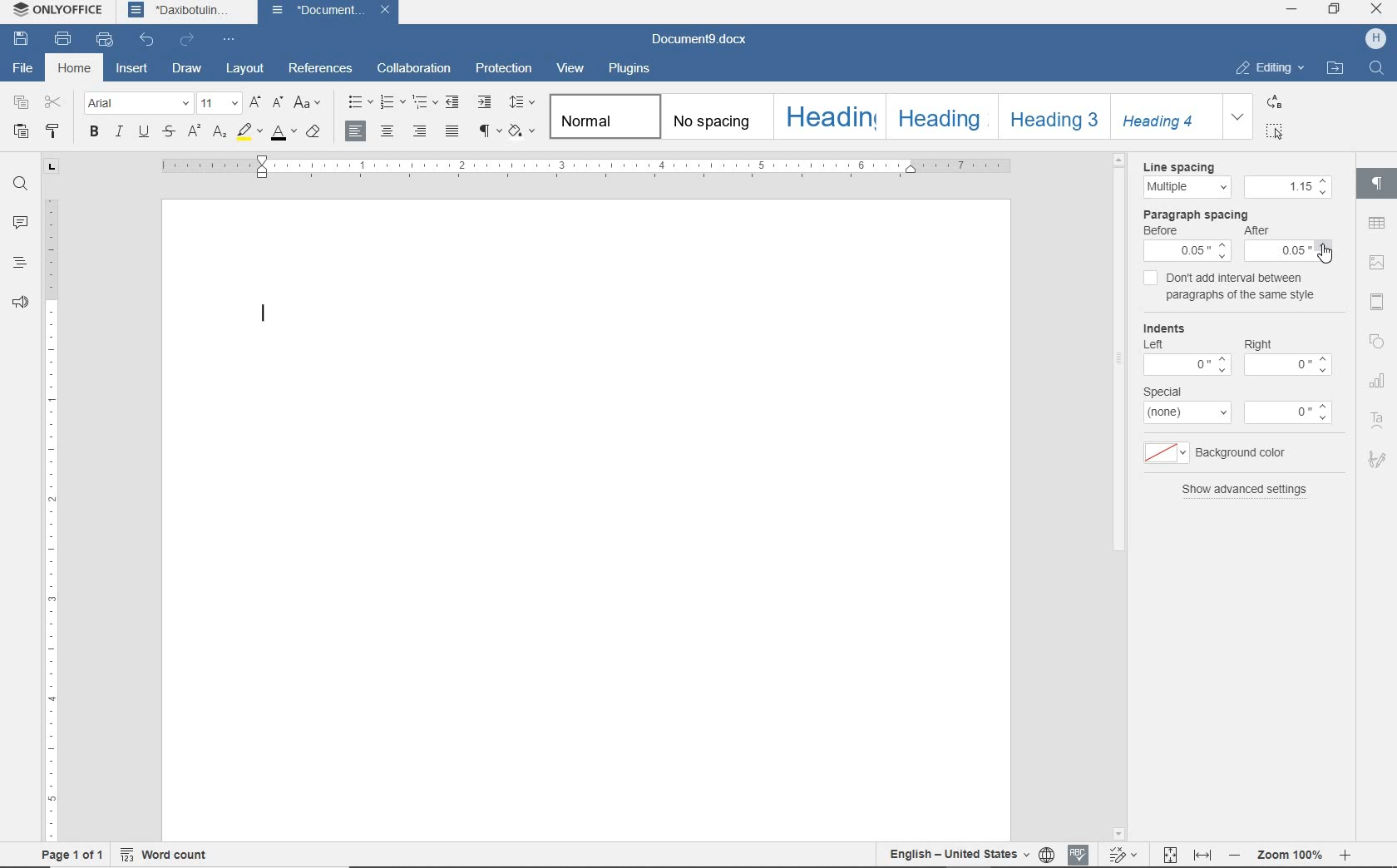 Image resolution: width=1397 pixels, height=868 pixels. What do you see at coordinates (486, 102) in the screenshot?
I see `increase indent` at bounding box center [486, 102].